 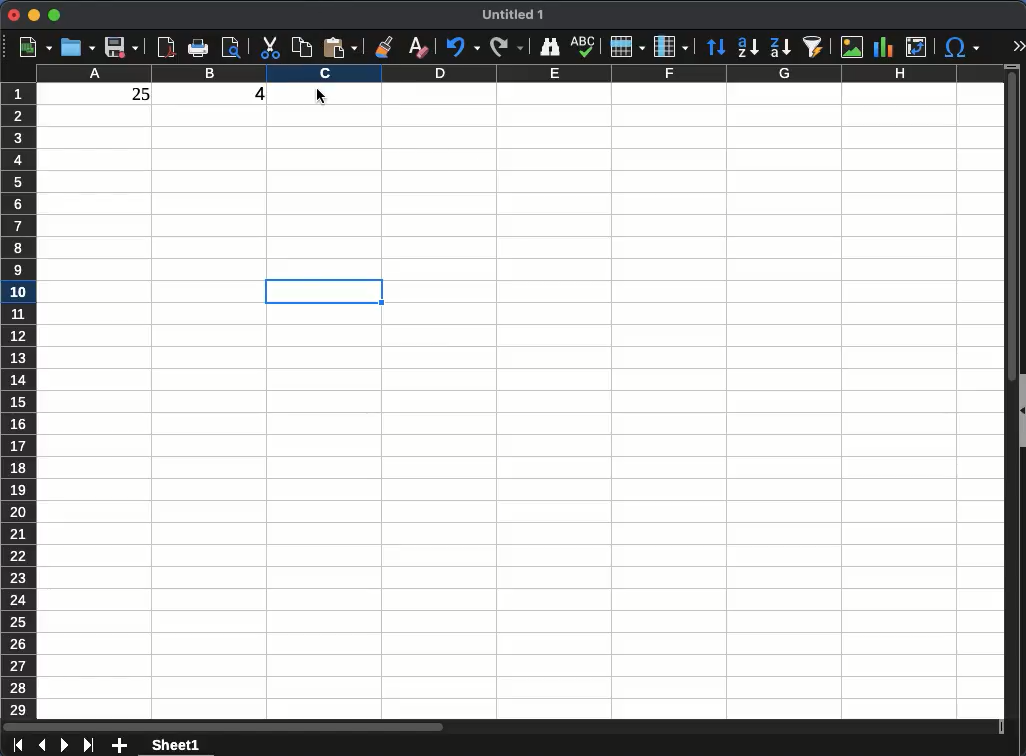 I want to click on print preview, so click(x=233, y=48).